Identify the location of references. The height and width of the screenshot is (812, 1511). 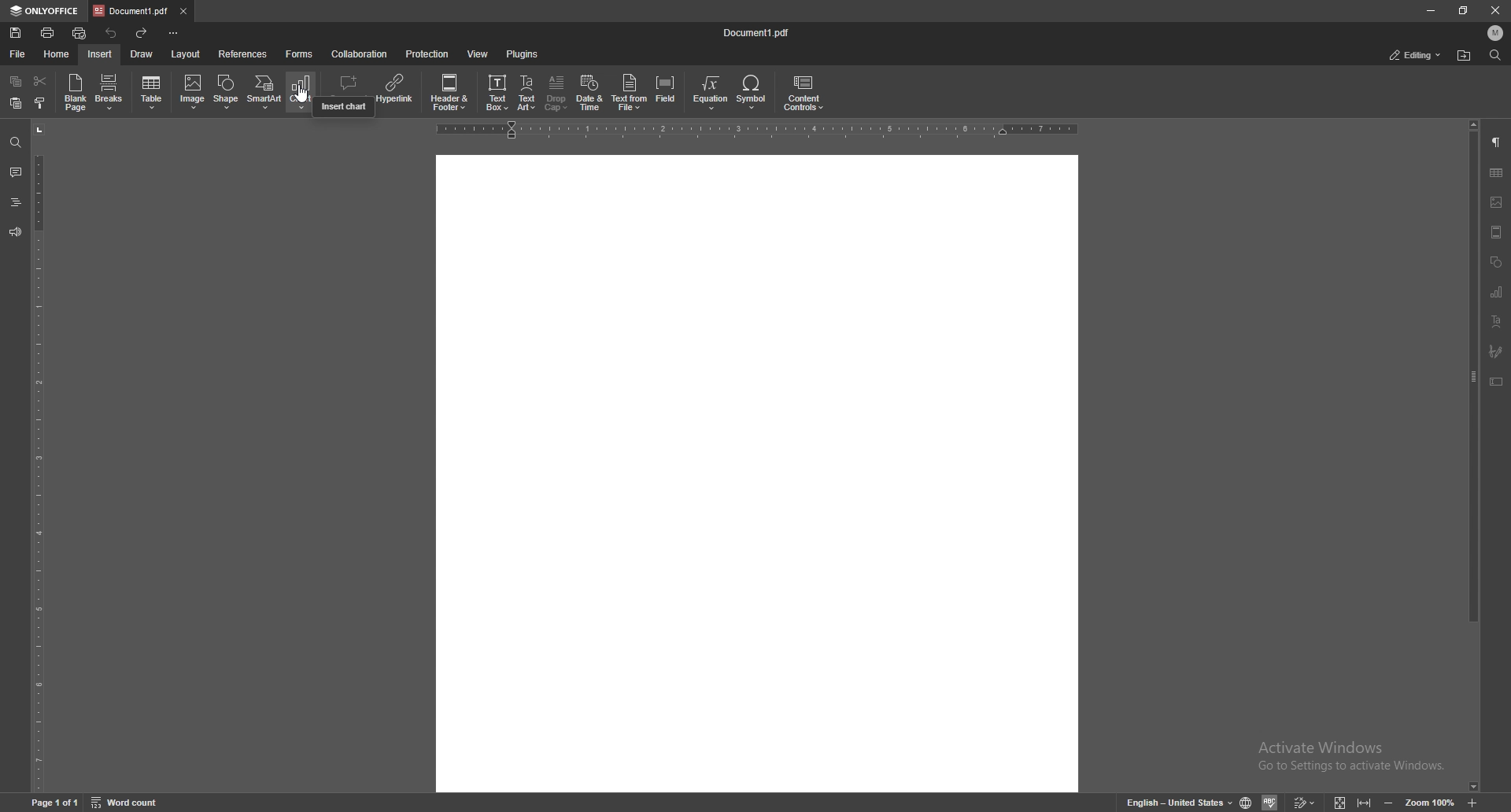
(244, 54).